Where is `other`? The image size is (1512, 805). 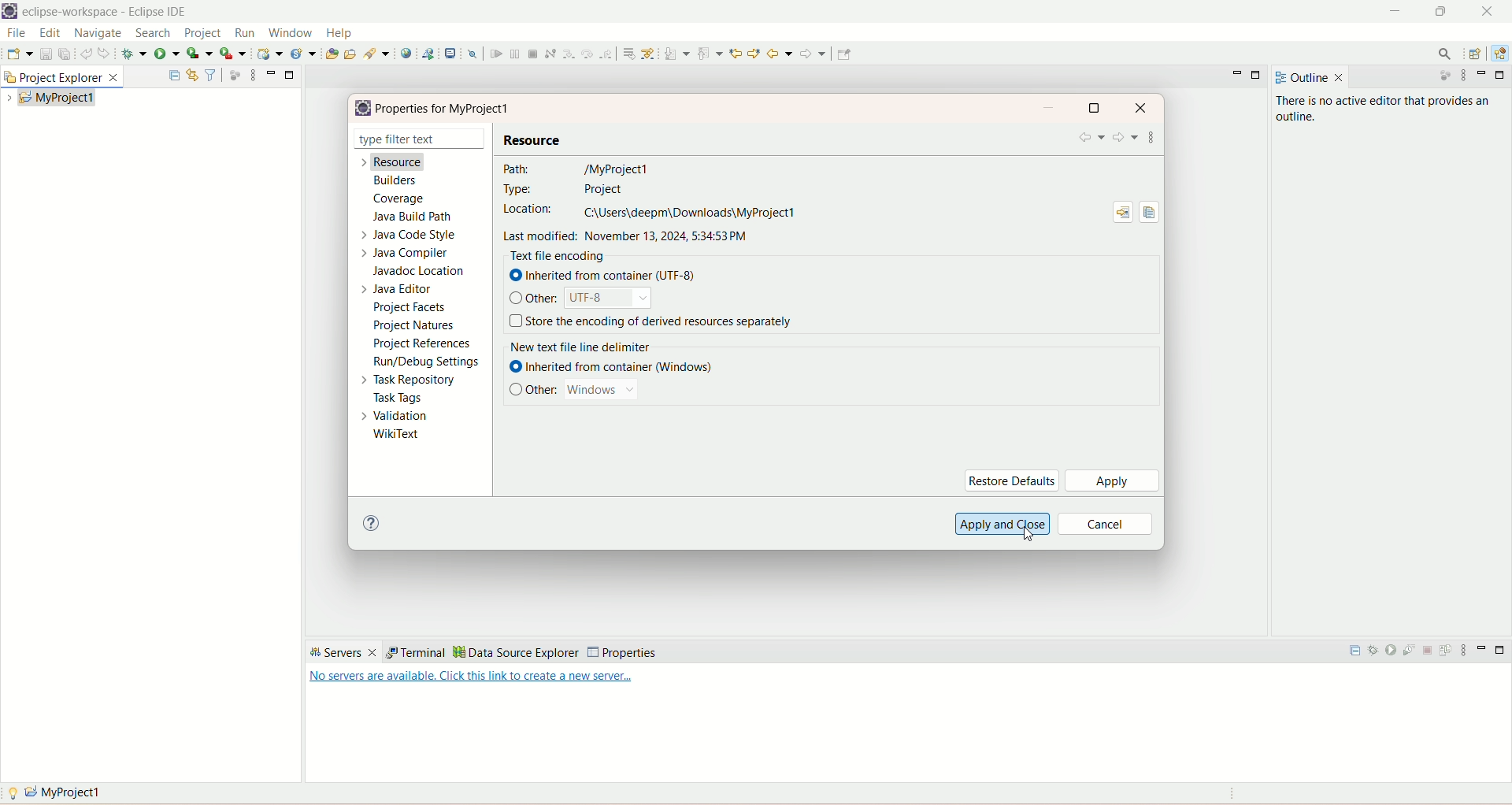
other is located at coordinates (544, 389).